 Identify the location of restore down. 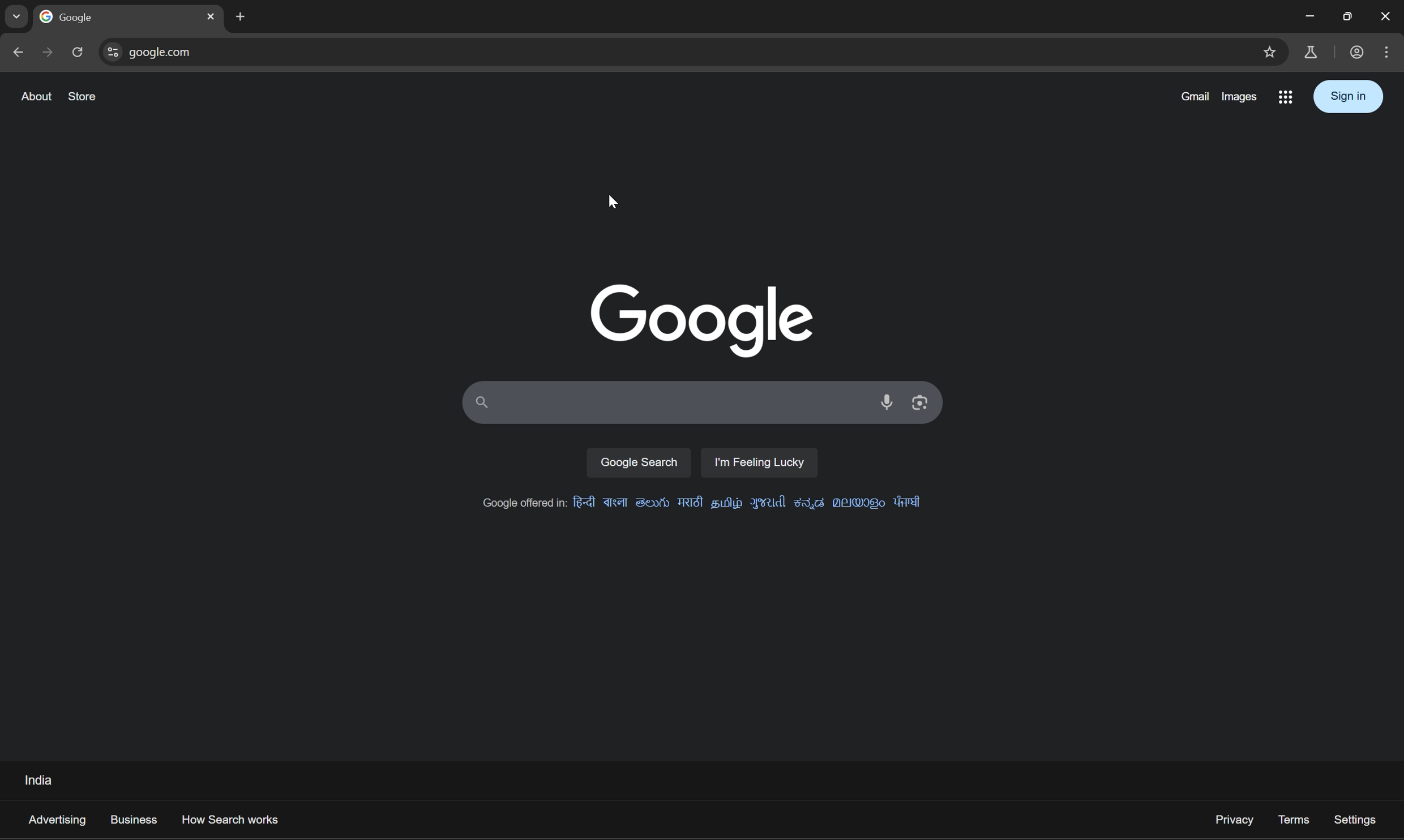
(1350, 16).